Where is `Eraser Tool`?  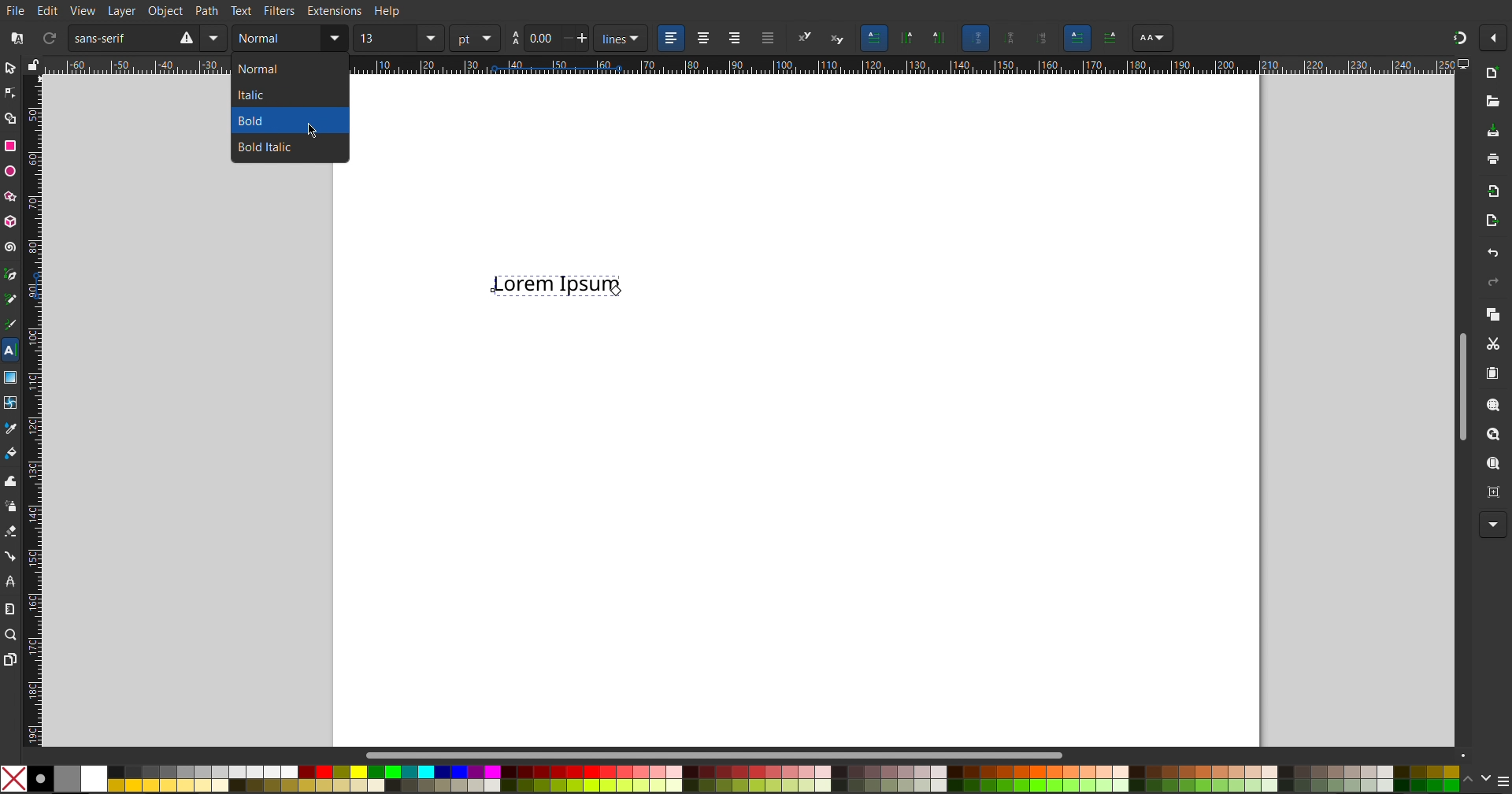 Eraser Tool is located at coordinates (11, 531).